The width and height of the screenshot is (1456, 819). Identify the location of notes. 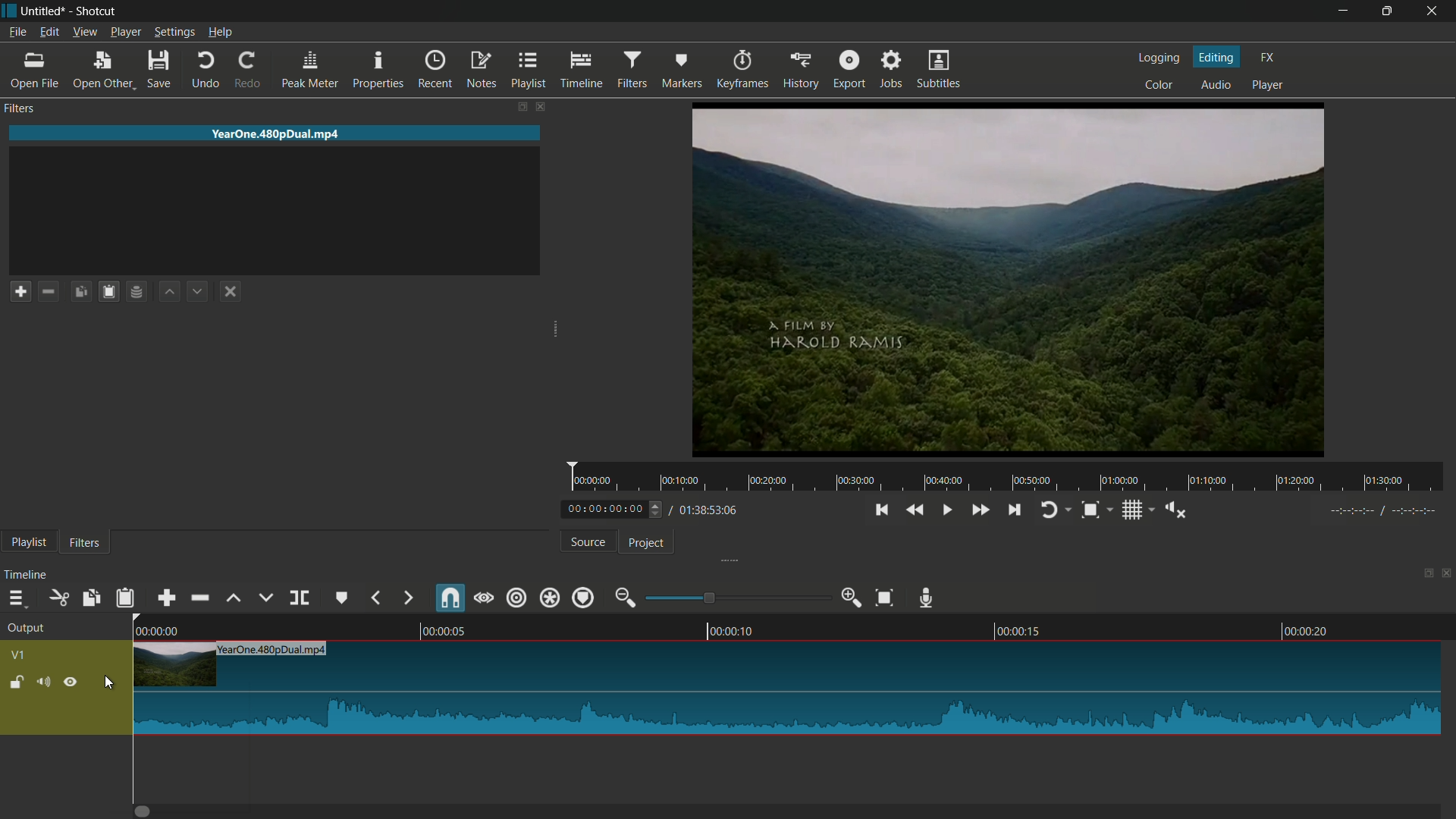
(483, 69).